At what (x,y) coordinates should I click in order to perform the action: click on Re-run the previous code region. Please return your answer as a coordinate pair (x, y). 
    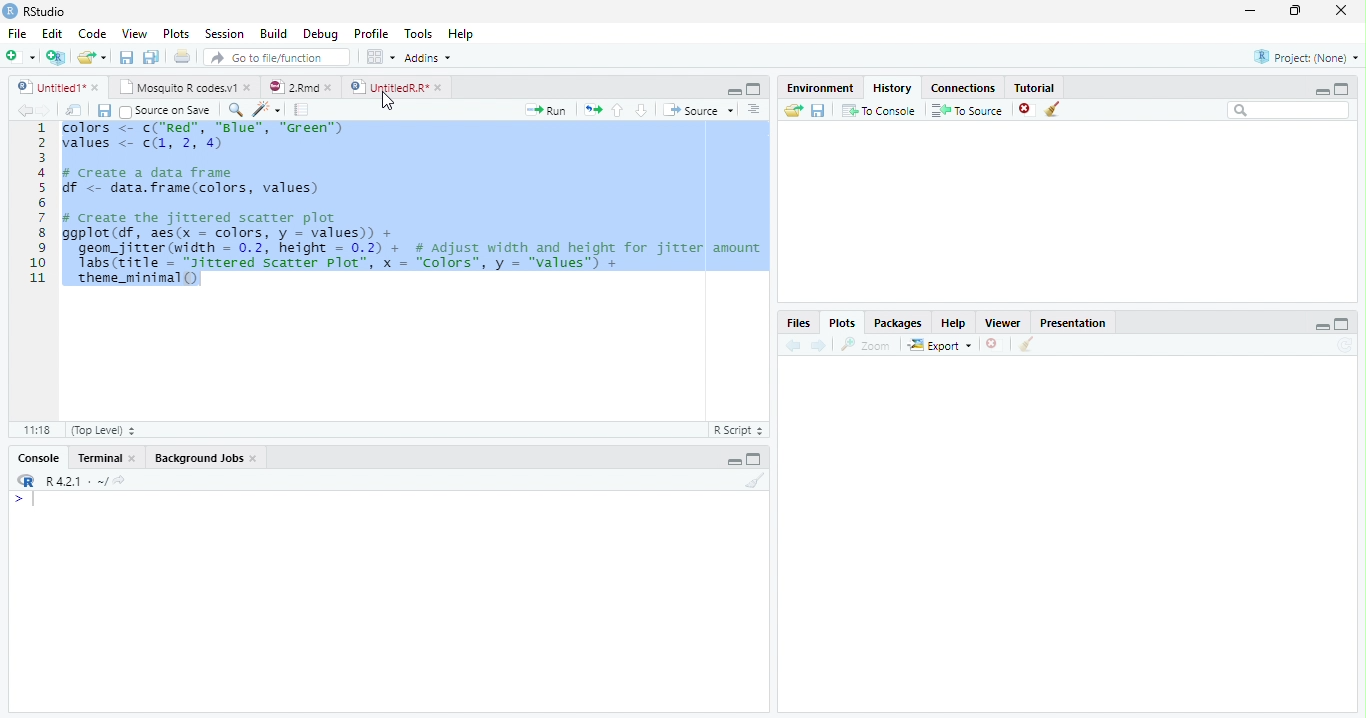
    Looking at the image, I should click on (592, 110).